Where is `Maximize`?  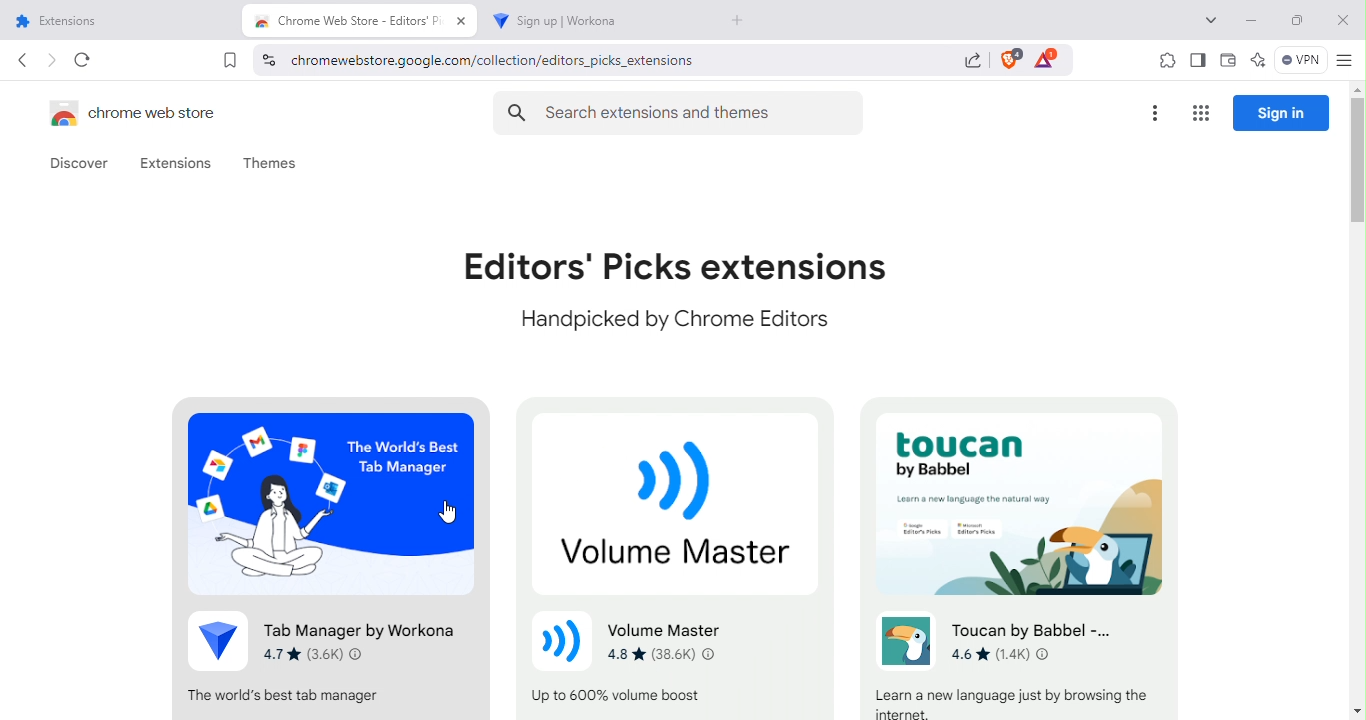
Maximize is located at coordinates (1295, 24).